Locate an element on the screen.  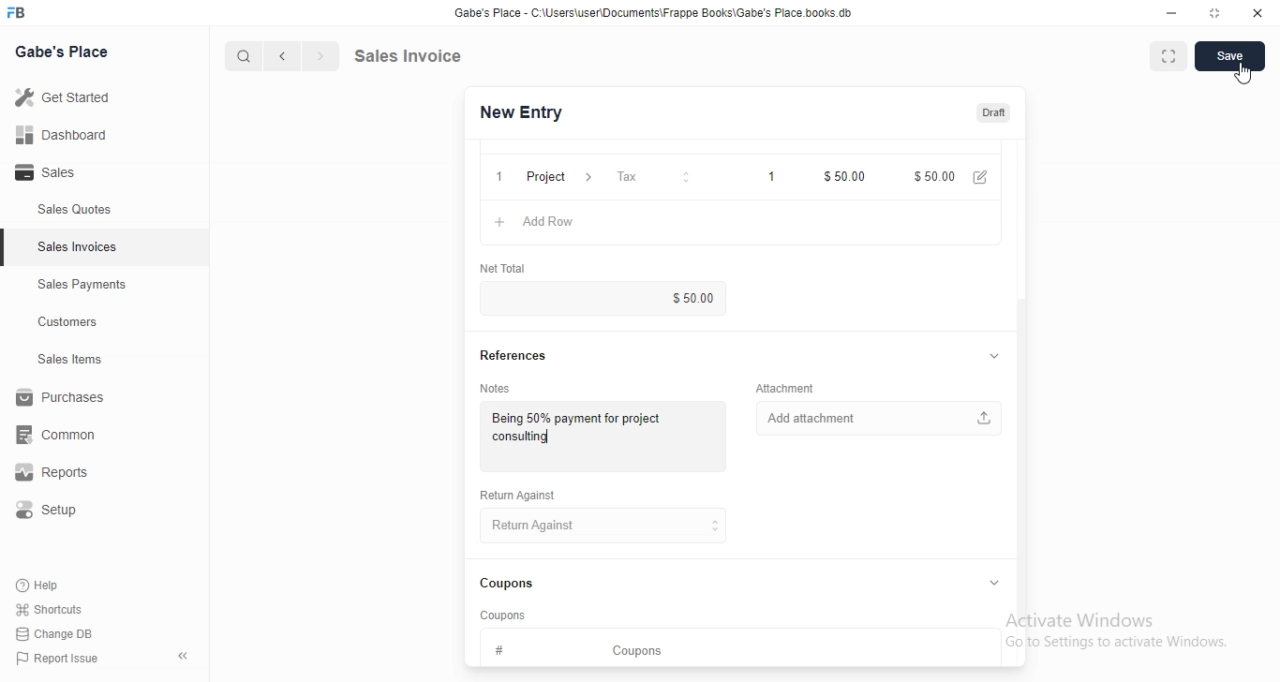
Add attachment is located at coordinates (879, 420).